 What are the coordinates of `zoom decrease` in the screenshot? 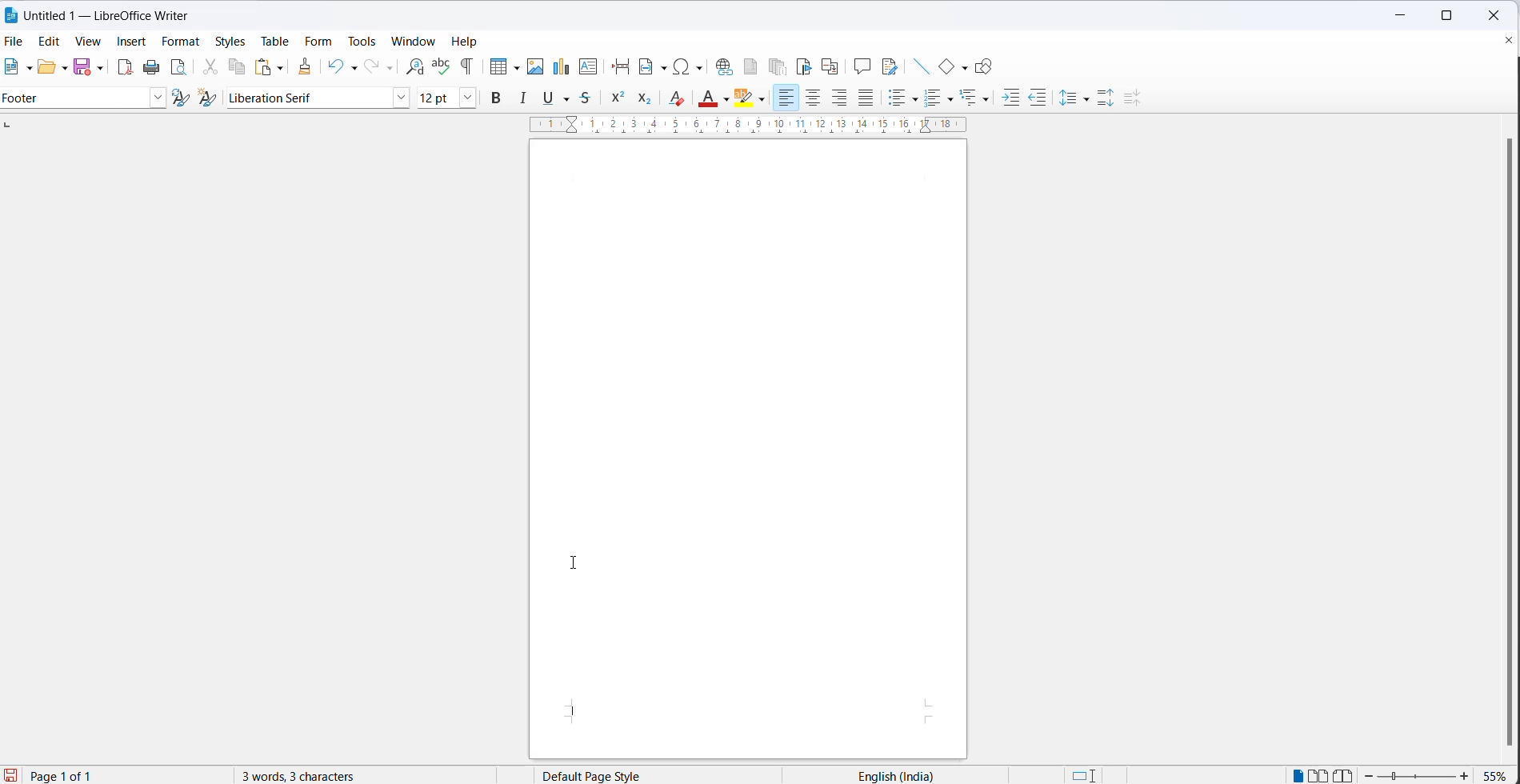 It's located at (1369, 776).